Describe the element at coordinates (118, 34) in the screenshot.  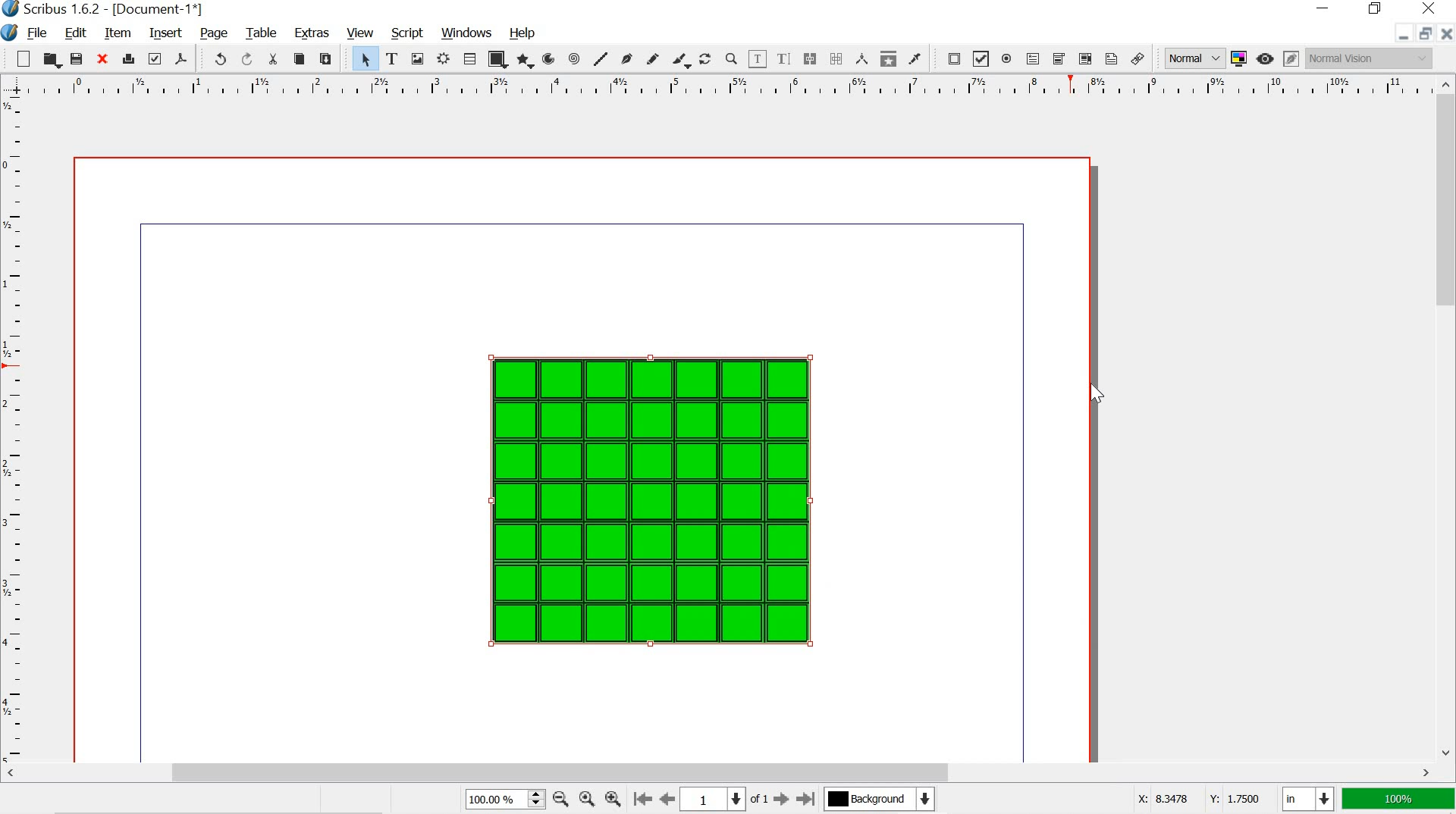
I see `item` at that location.